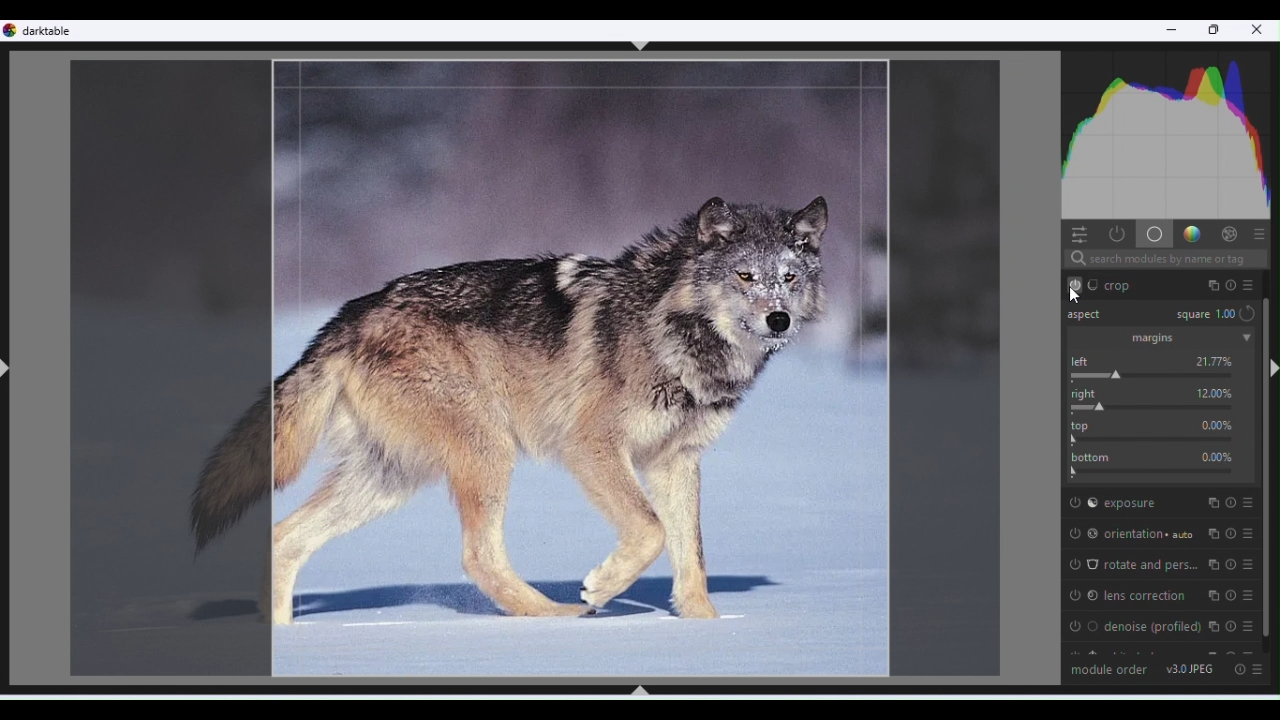 The height and width of the screenshot is (720, 1280). I want to click on cursor, so click(1075, 296).